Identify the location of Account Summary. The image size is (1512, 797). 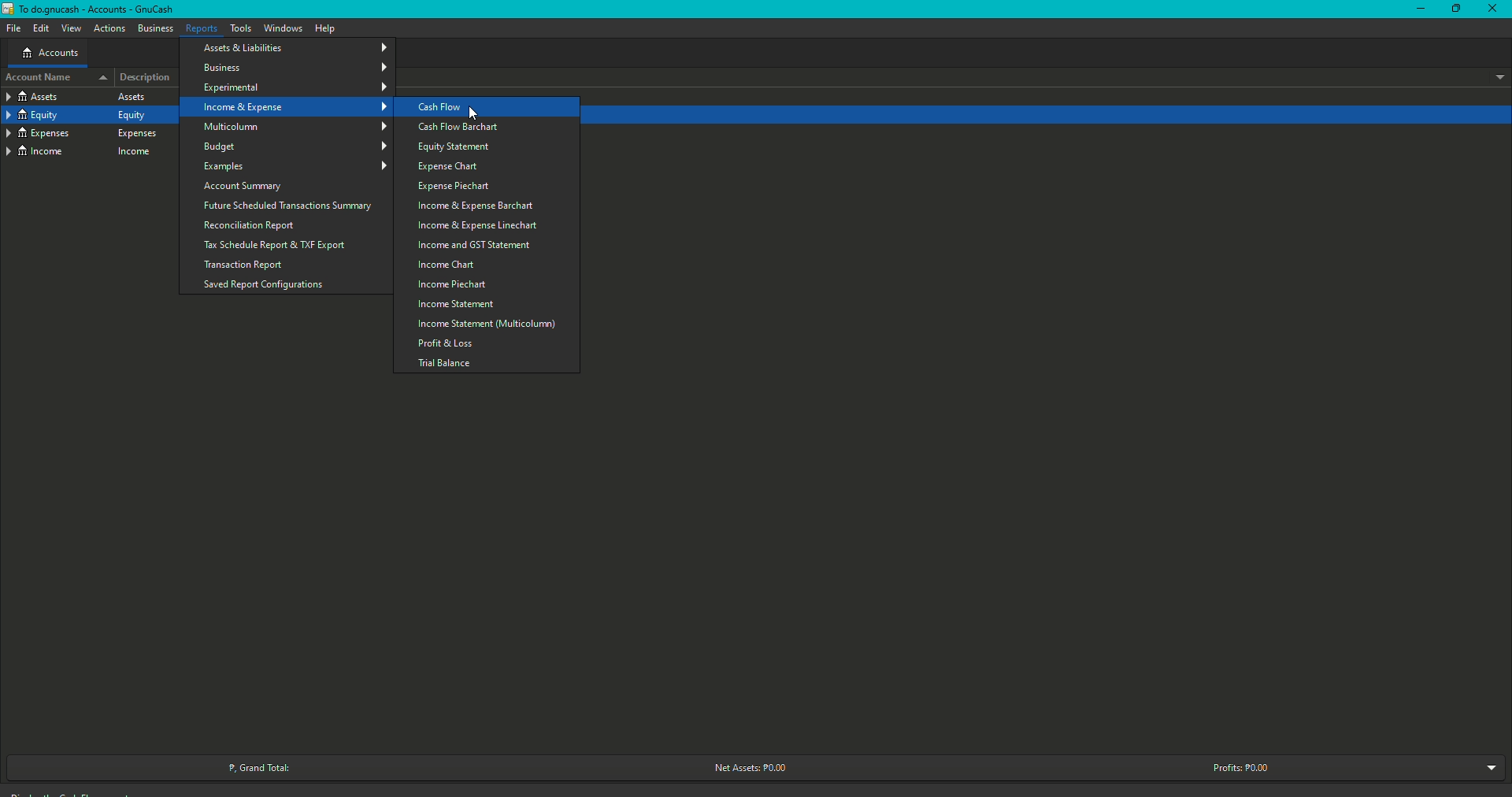
(246, 186).